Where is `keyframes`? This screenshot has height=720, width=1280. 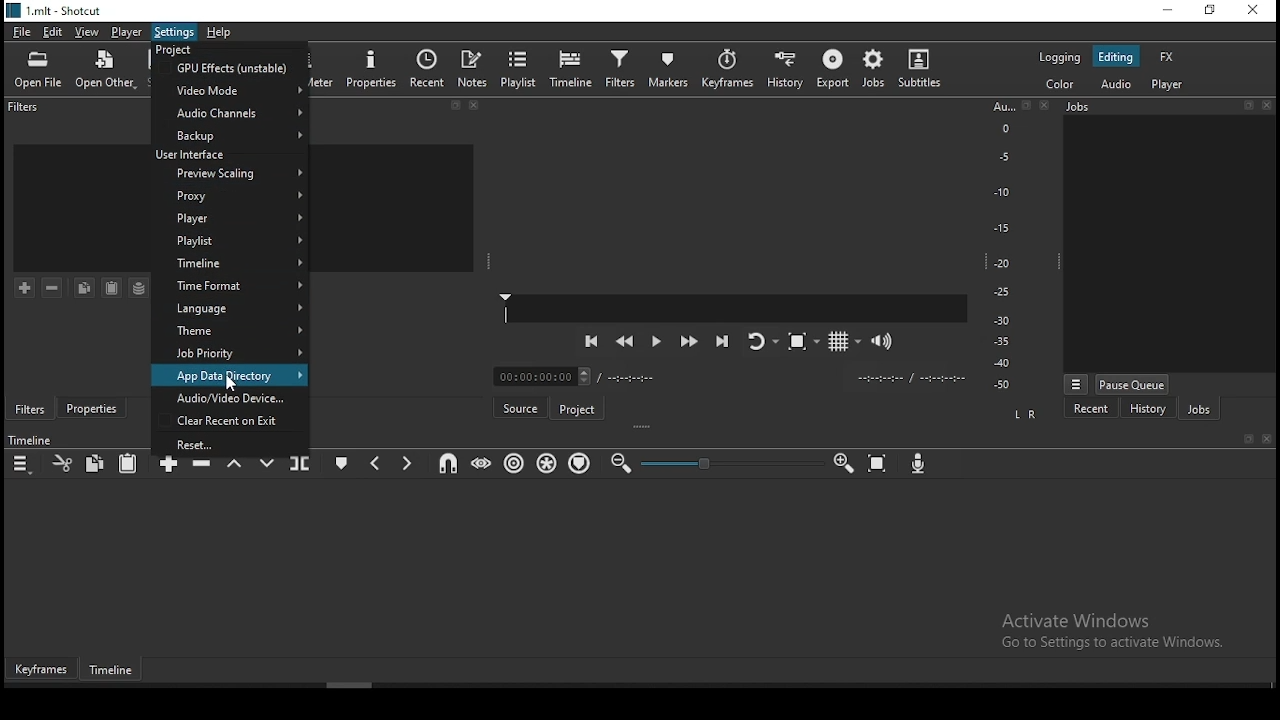
keyframes is located at coordinates (42, 670).